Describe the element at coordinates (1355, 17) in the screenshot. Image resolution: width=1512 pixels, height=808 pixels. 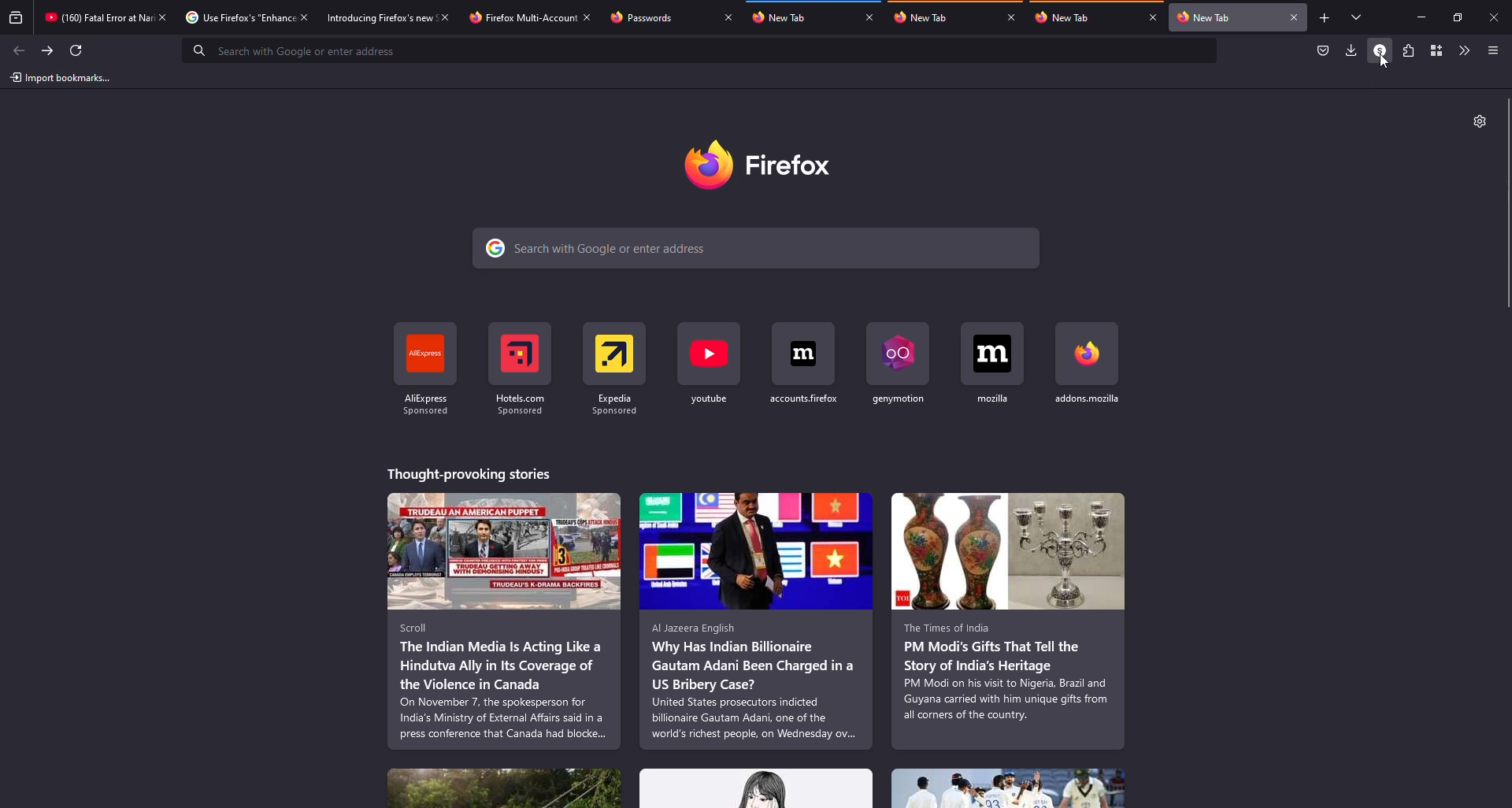
I see `tabs` at that location.